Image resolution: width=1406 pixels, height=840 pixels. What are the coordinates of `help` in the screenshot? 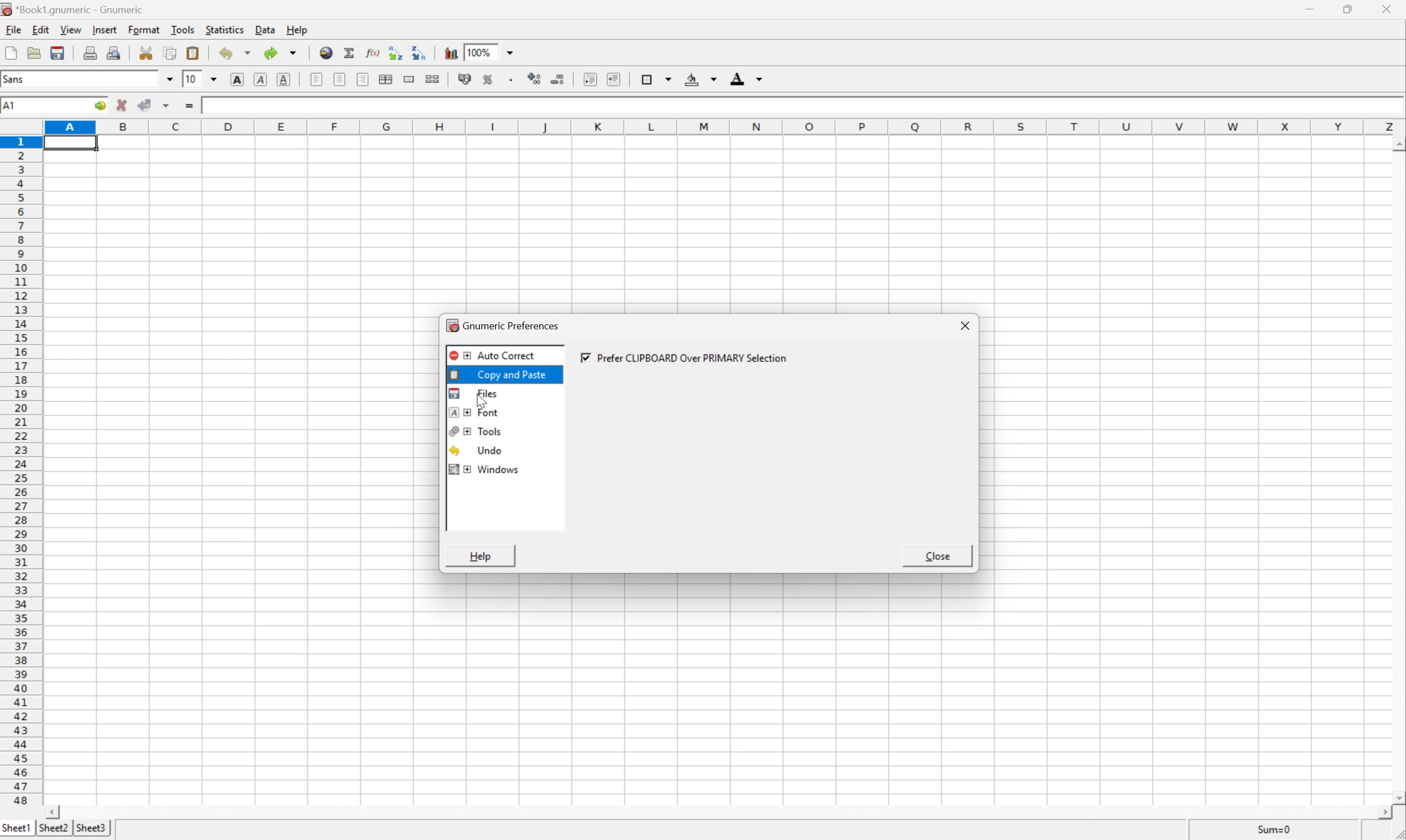 It's located at (481, 557).